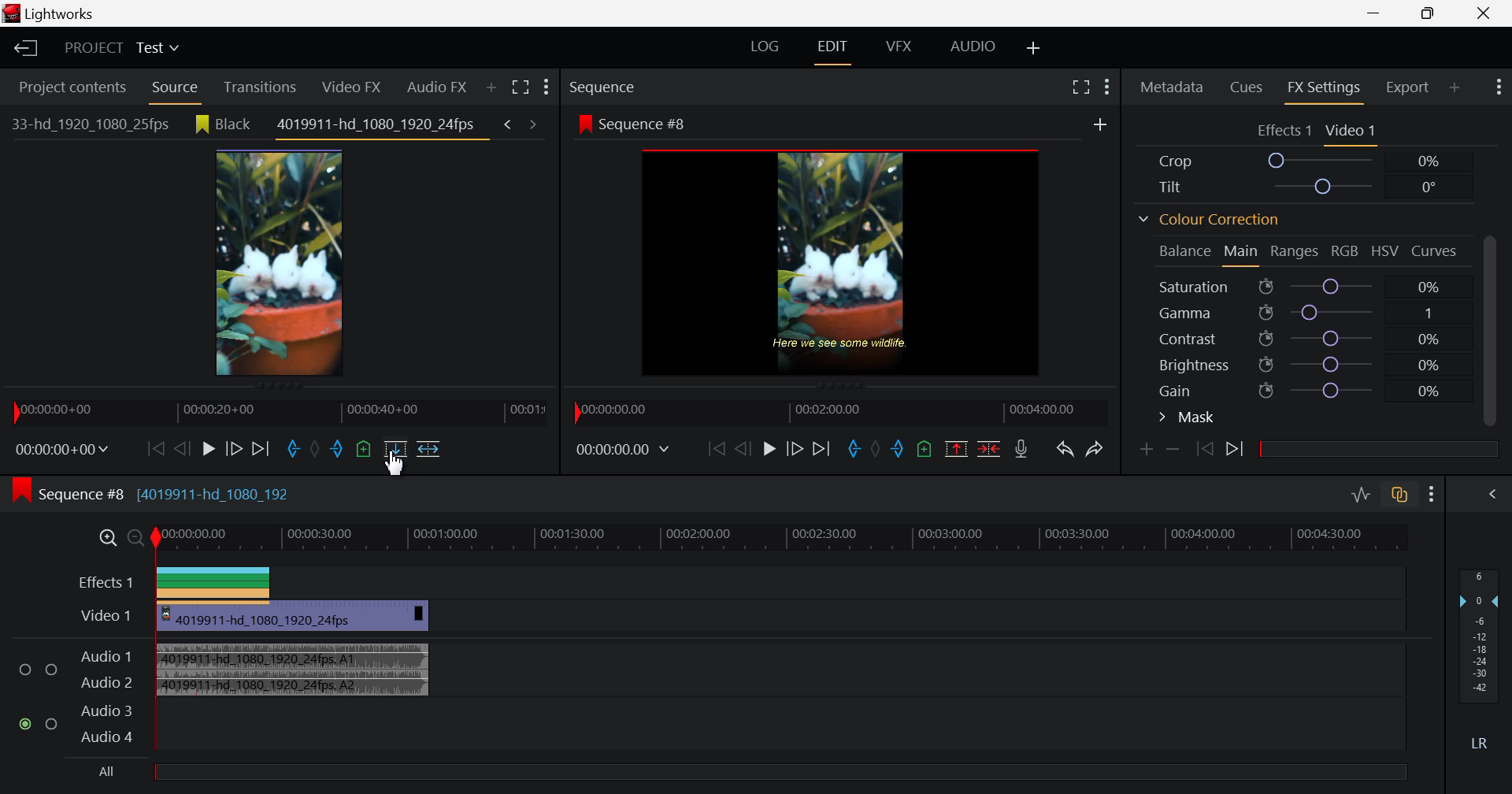 This screenshot has height=794, width=1512. Describe the element at coordinates (1343, 250) in the screenshot. I see `RGB` at that location.